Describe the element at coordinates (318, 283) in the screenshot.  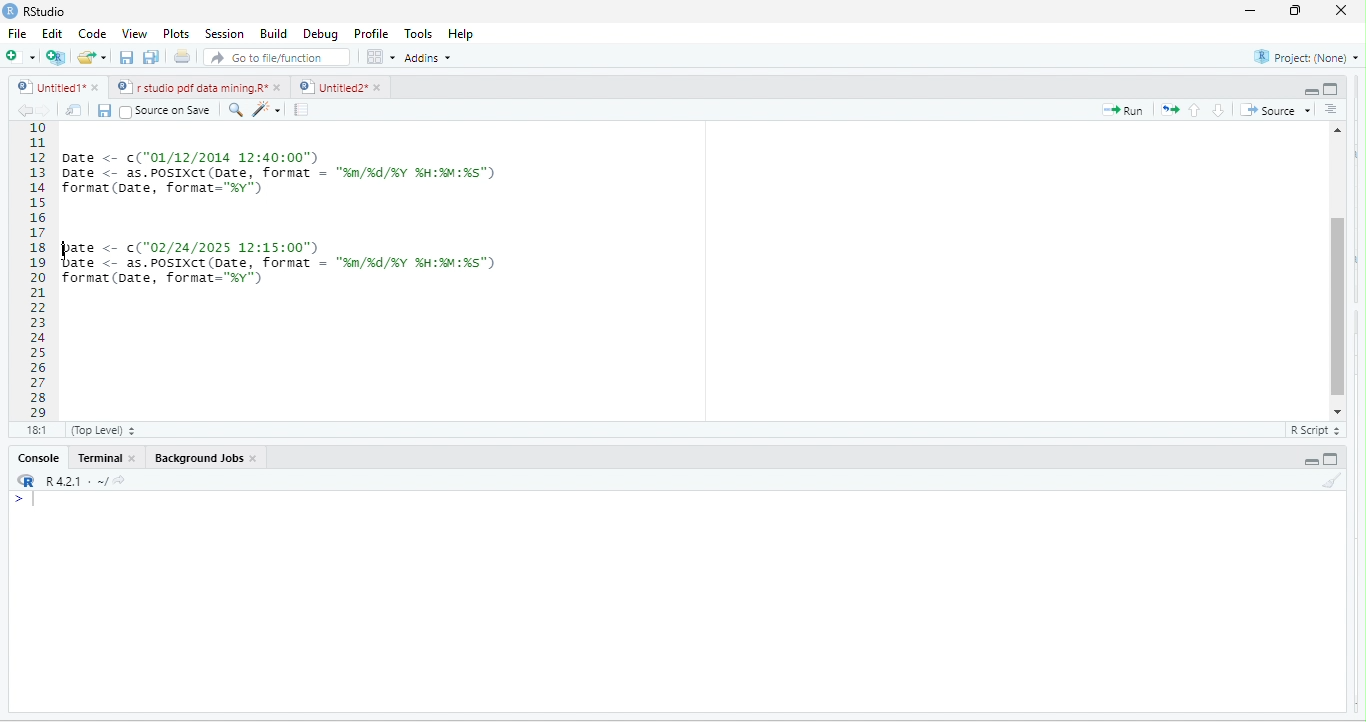
I see `< format(x, -) 24/2025 12:15:00")
<= as.POSIXCT (Date, format = “%m/¥d/%Y %H:imMi%s")
at (pate, format="%v")` at that location.